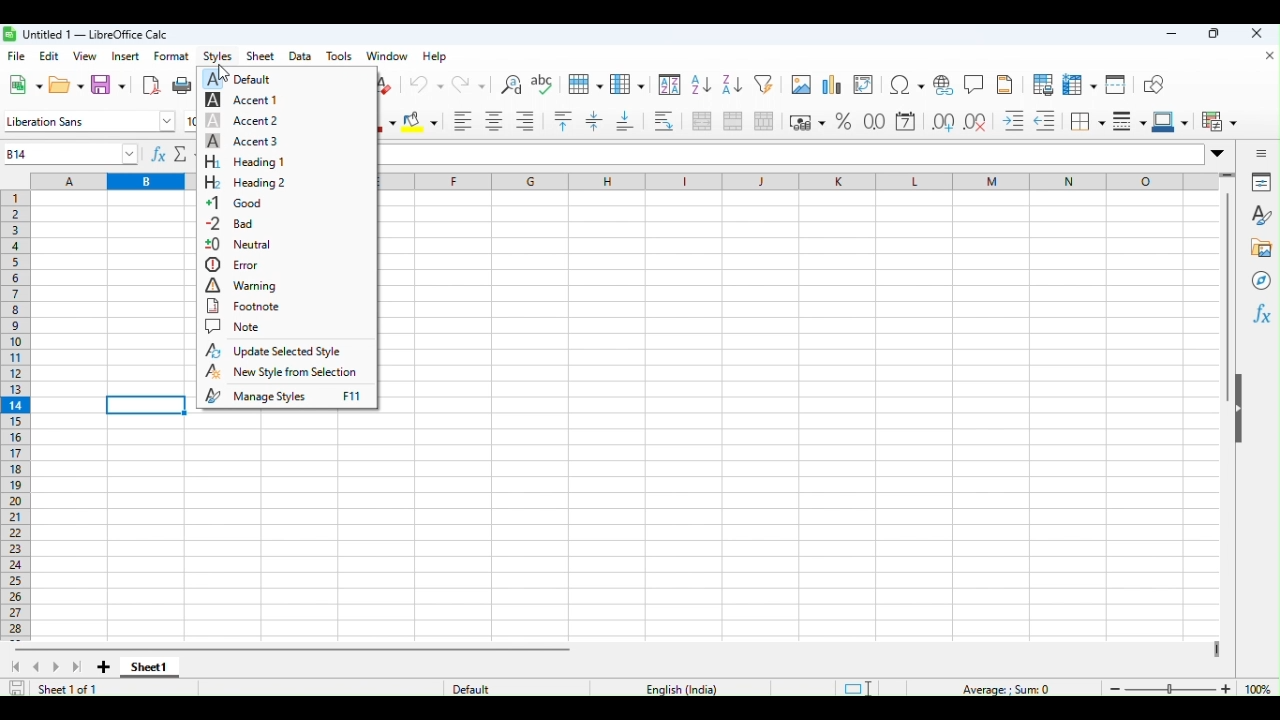 The image size is (1280, 720). What do you see at coordinates (147, 404) in the screenshot?
I see `cell` at bounding box center [147, 404].